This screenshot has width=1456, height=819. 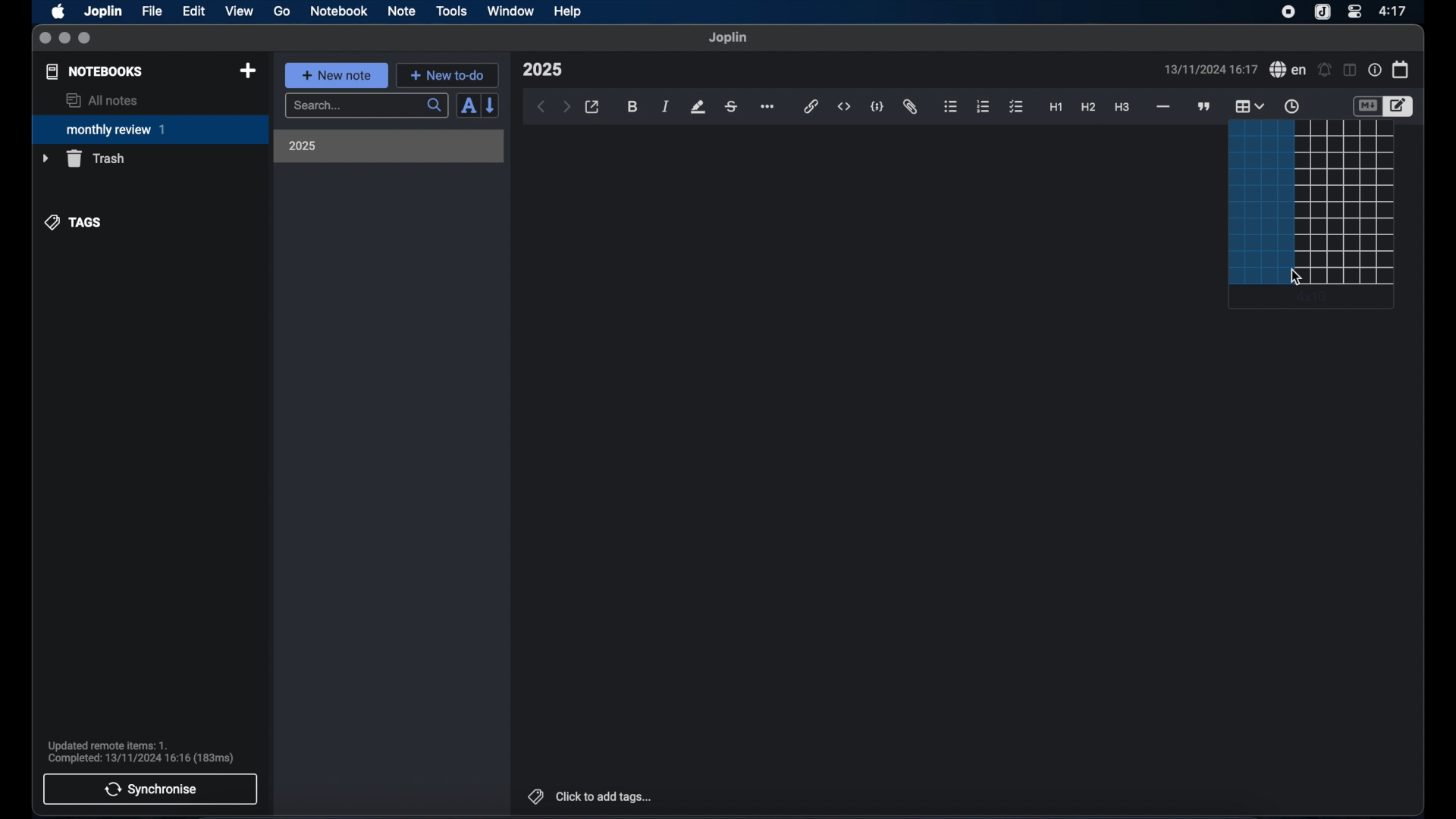 What do you see at coordinates (983, 106) in the screenshot?
I see `numbered list` at bounding box center [983, 106].